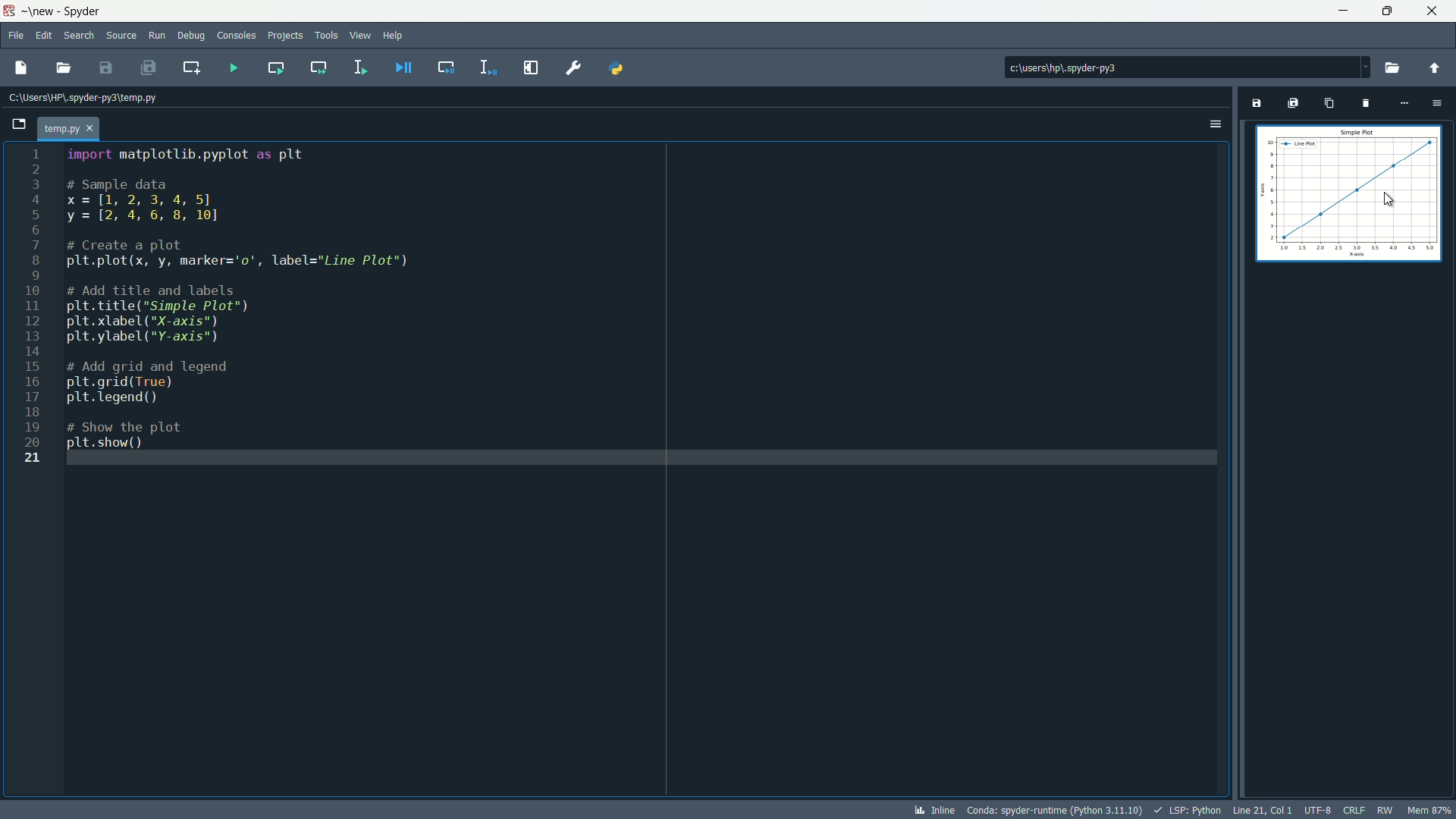 This screenshot has width=1456, height=819. What do you see at coordinates (285, 36) in the screenshot?
I see `projects menu` at bounding box center [285, 36].